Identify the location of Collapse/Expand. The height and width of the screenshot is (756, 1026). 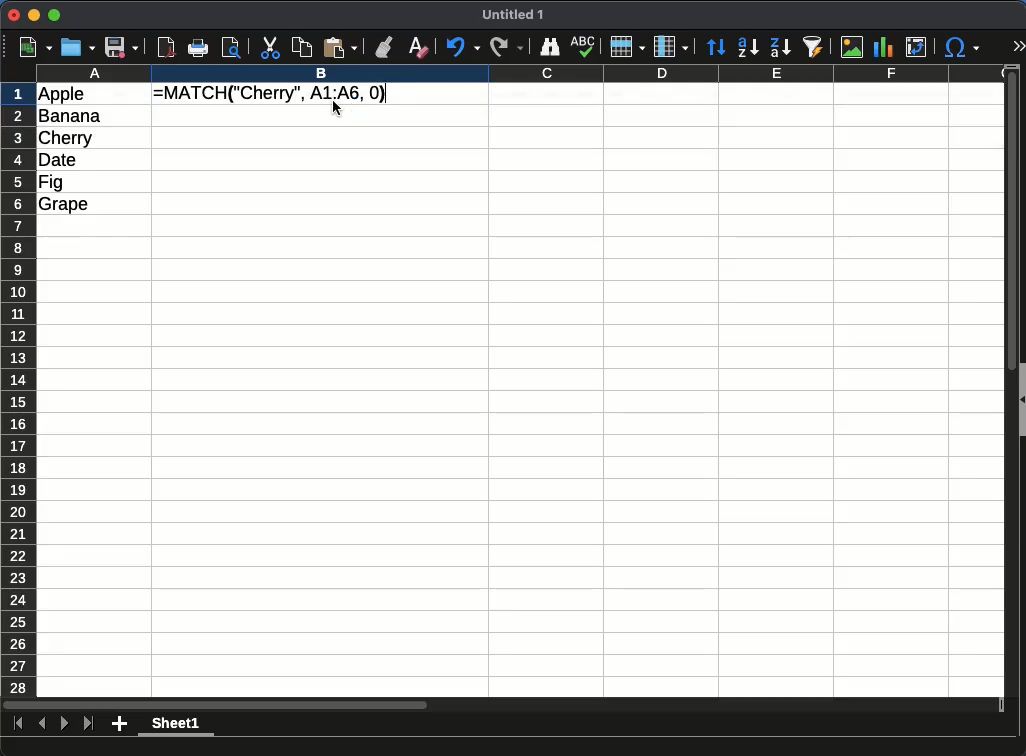
(1022, 399).